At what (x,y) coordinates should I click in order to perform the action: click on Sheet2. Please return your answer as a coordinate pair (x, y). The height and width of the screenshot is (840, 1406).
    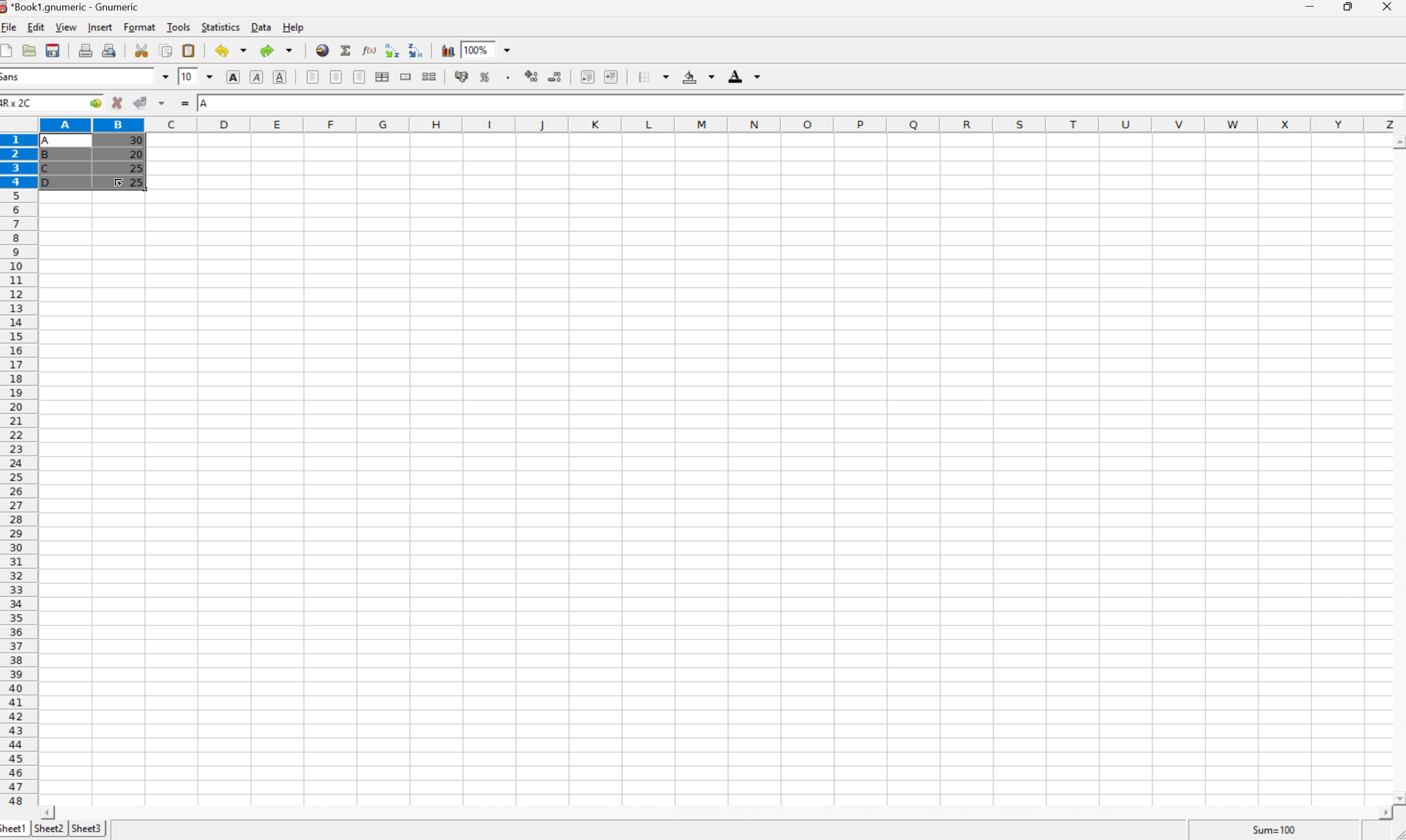
    Looking at the image, I should click on (49, 829).